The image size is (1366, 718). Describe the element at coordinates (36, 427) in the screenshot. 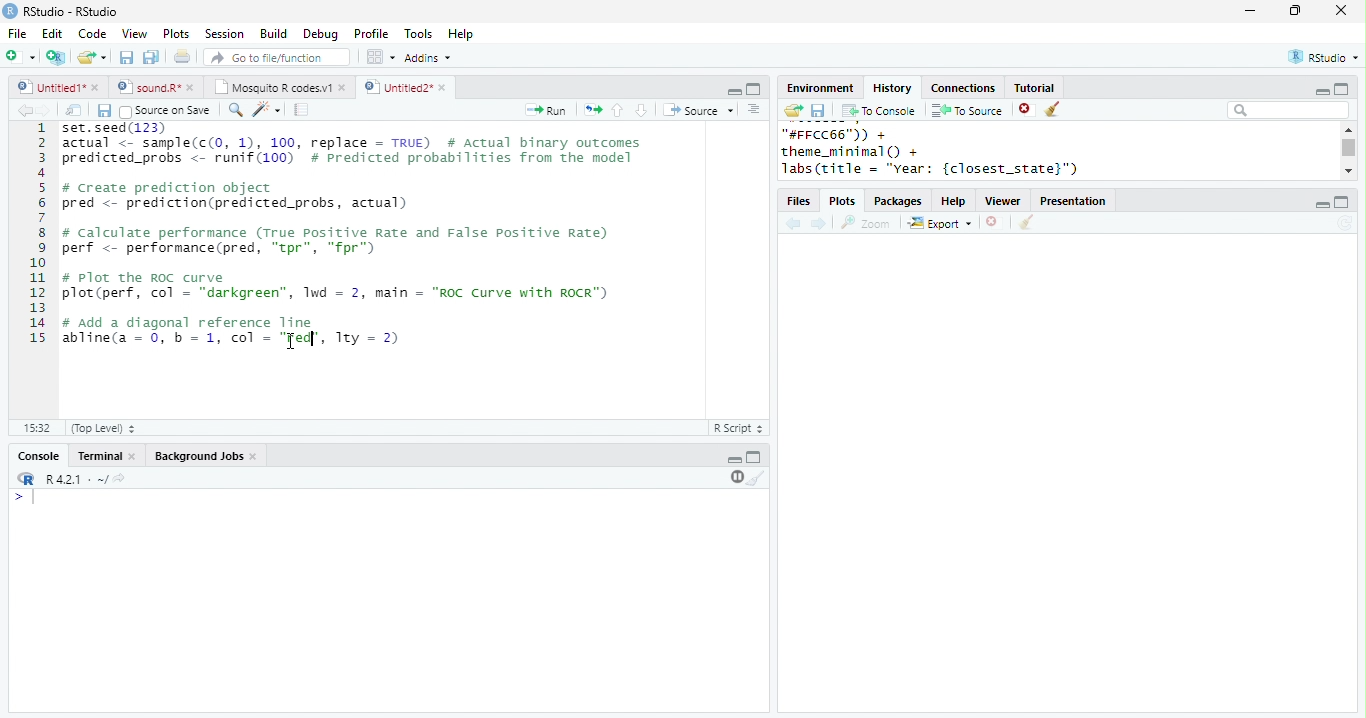

I see `15:32` at that location.